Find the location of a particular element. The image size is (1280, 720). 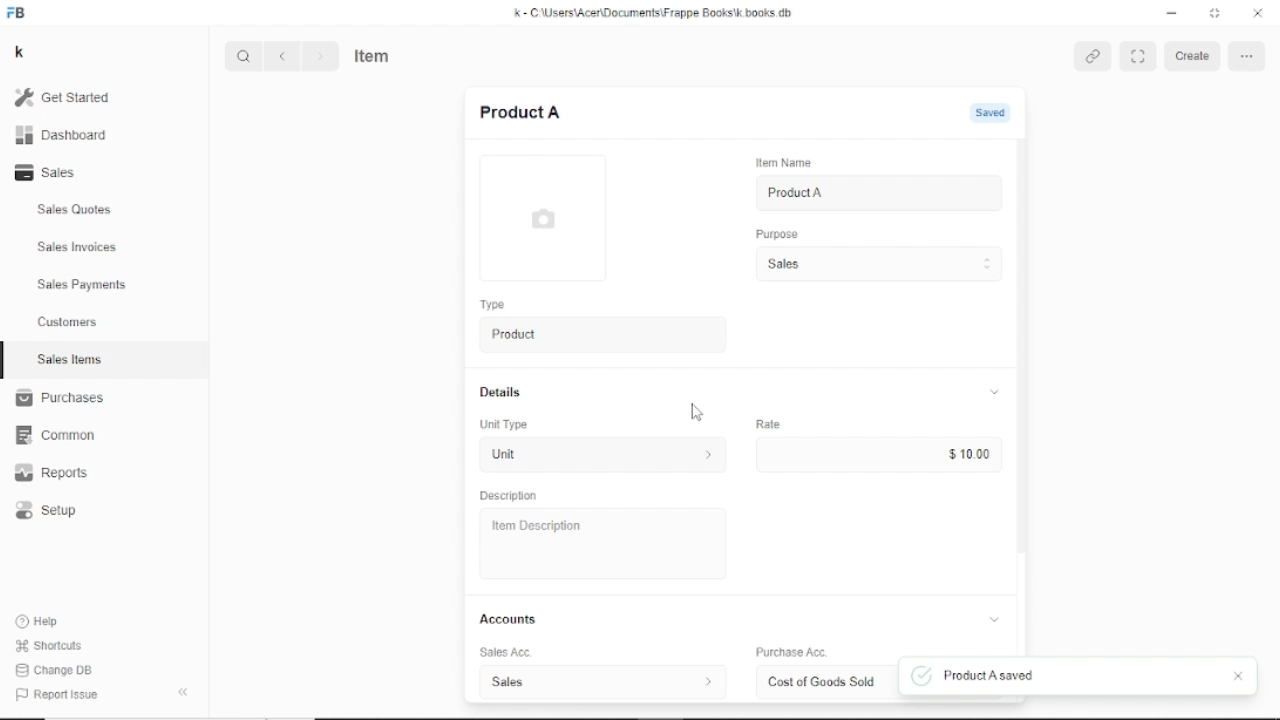

Minimize is located at coordinates (1173, 14).